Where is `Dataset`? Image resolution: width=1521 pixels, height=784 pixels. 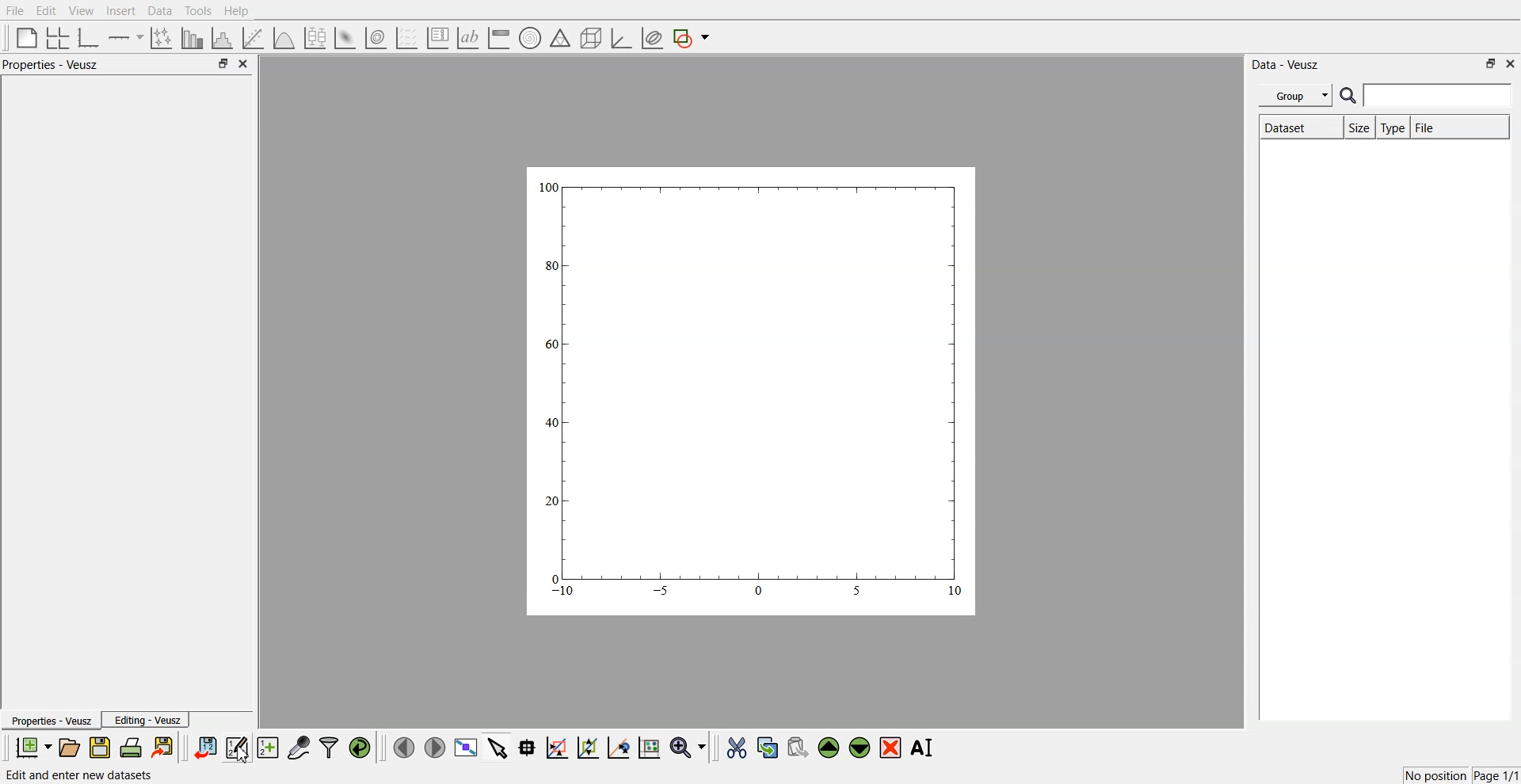 Dataset is located at coordinates (1298, 129).